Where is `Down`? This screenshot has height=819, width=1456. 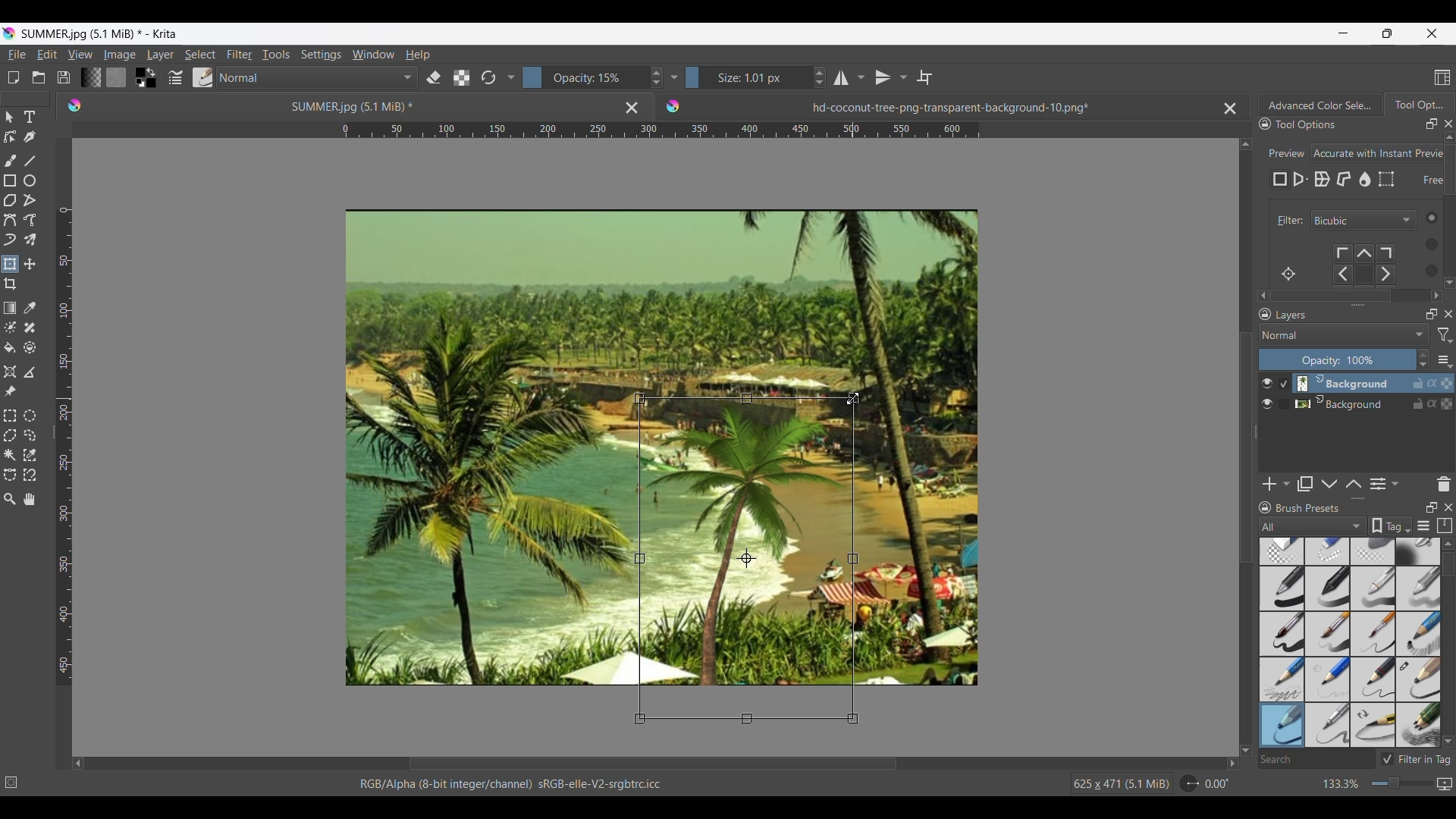 Down is located at coordinates (1447, 279).